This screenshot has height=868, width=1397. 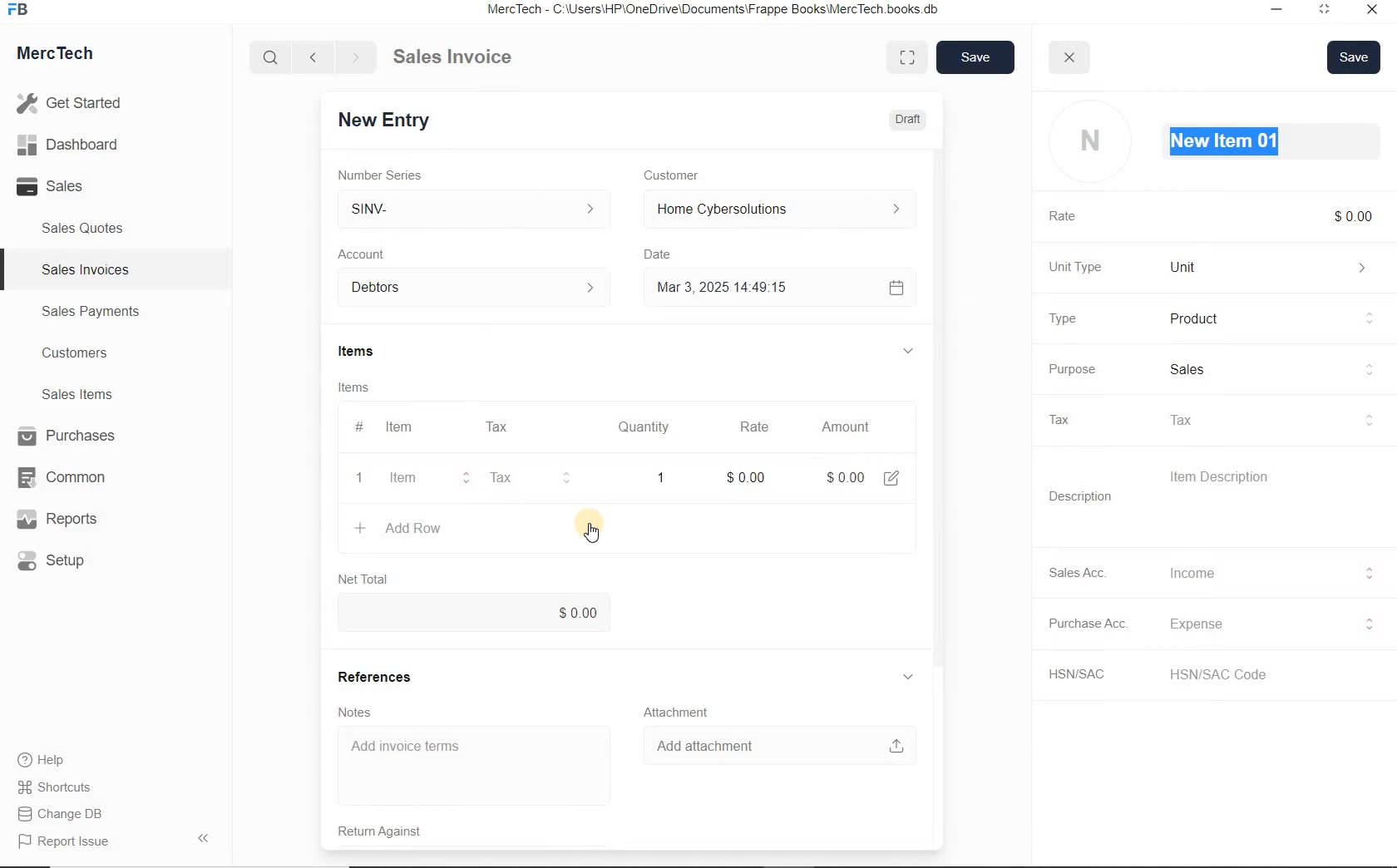 What do you see at coordinates (359, 711) in the screenshot?
I see `Notes` at bounding box center [359, 711].